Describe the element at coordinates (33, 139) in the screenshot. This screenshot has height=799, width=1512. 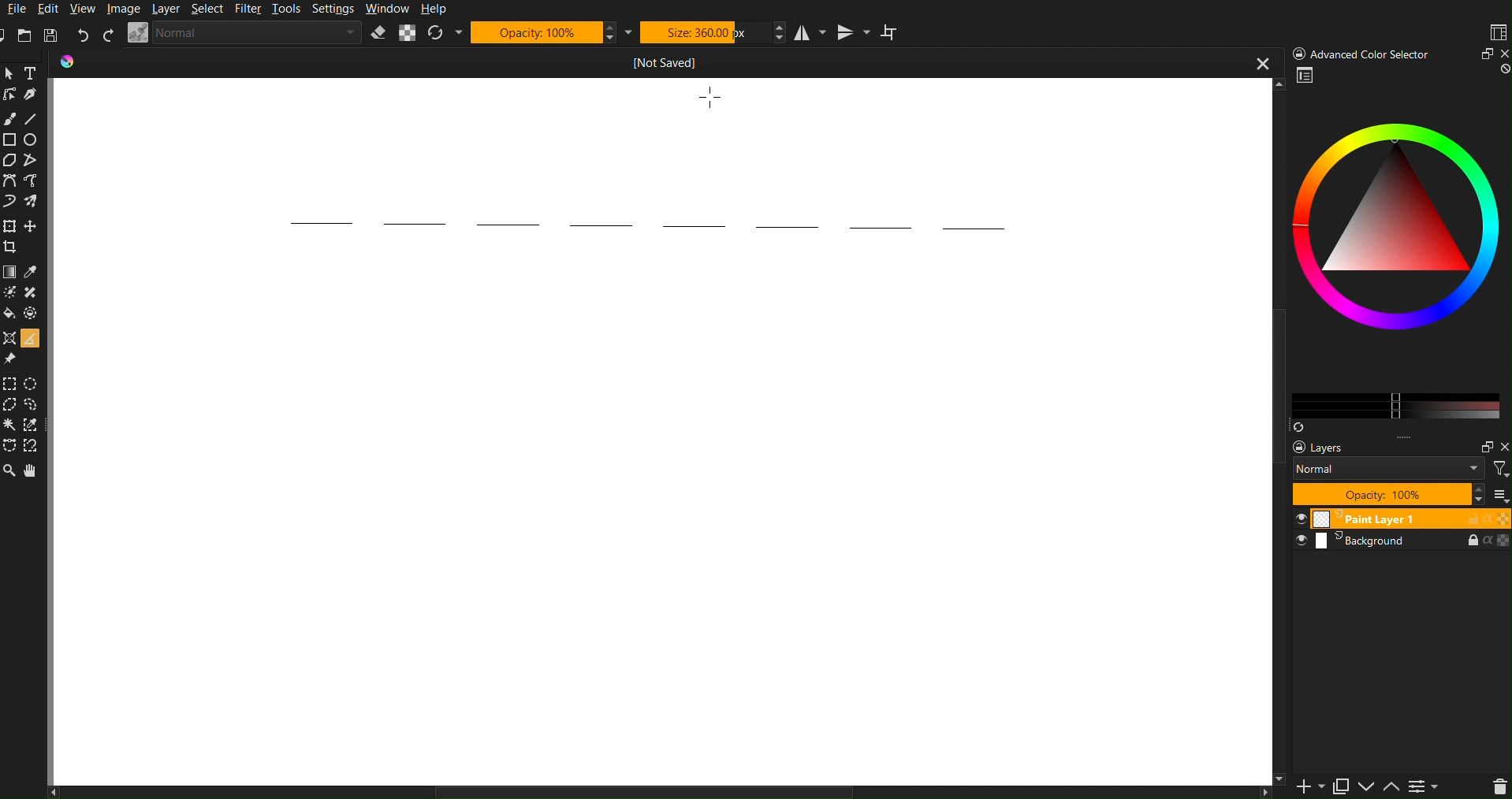
I see `Circle` at that location.